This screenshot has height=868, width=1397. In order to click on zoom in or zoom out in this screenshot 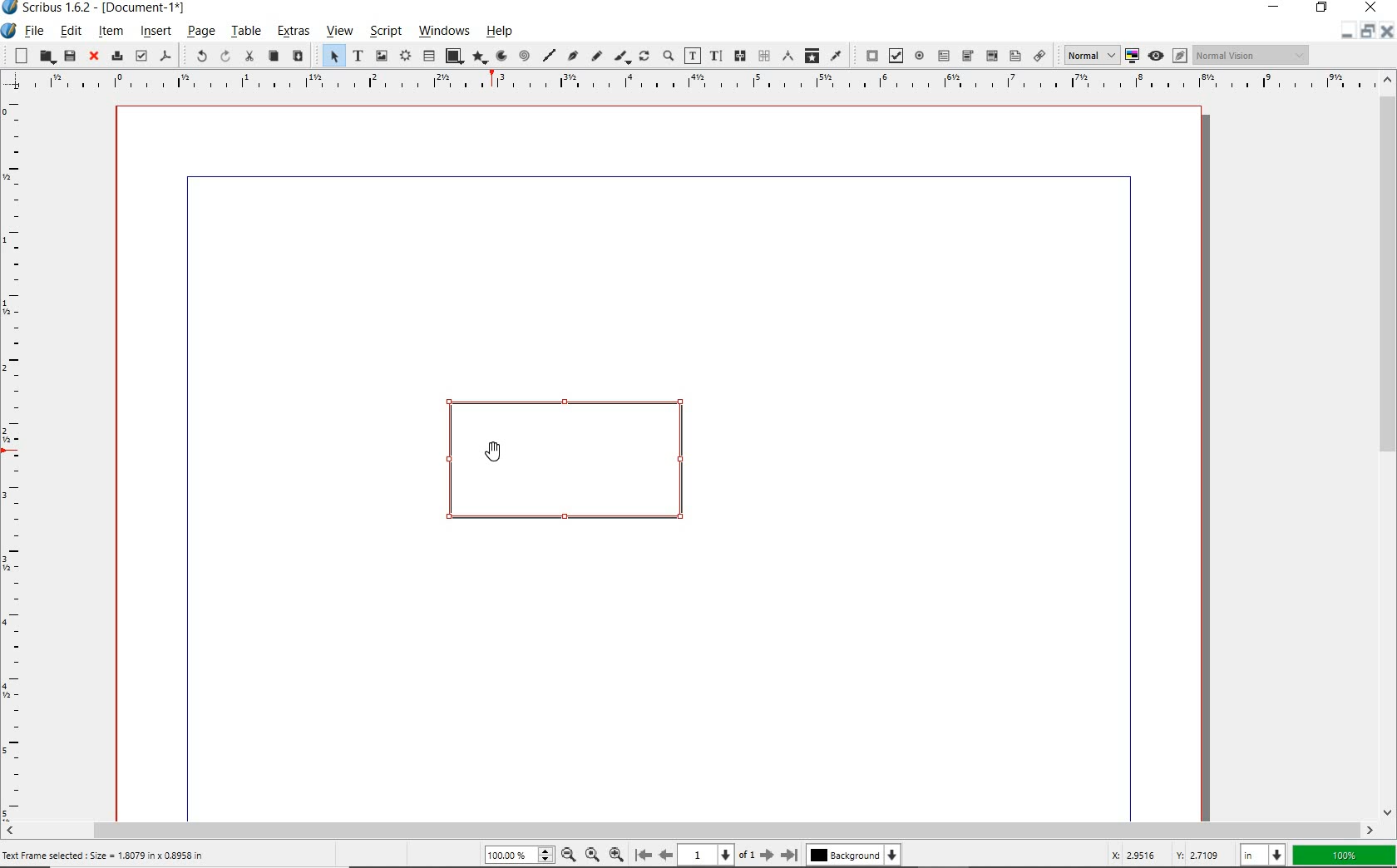, I will do `click(668, 57)`.